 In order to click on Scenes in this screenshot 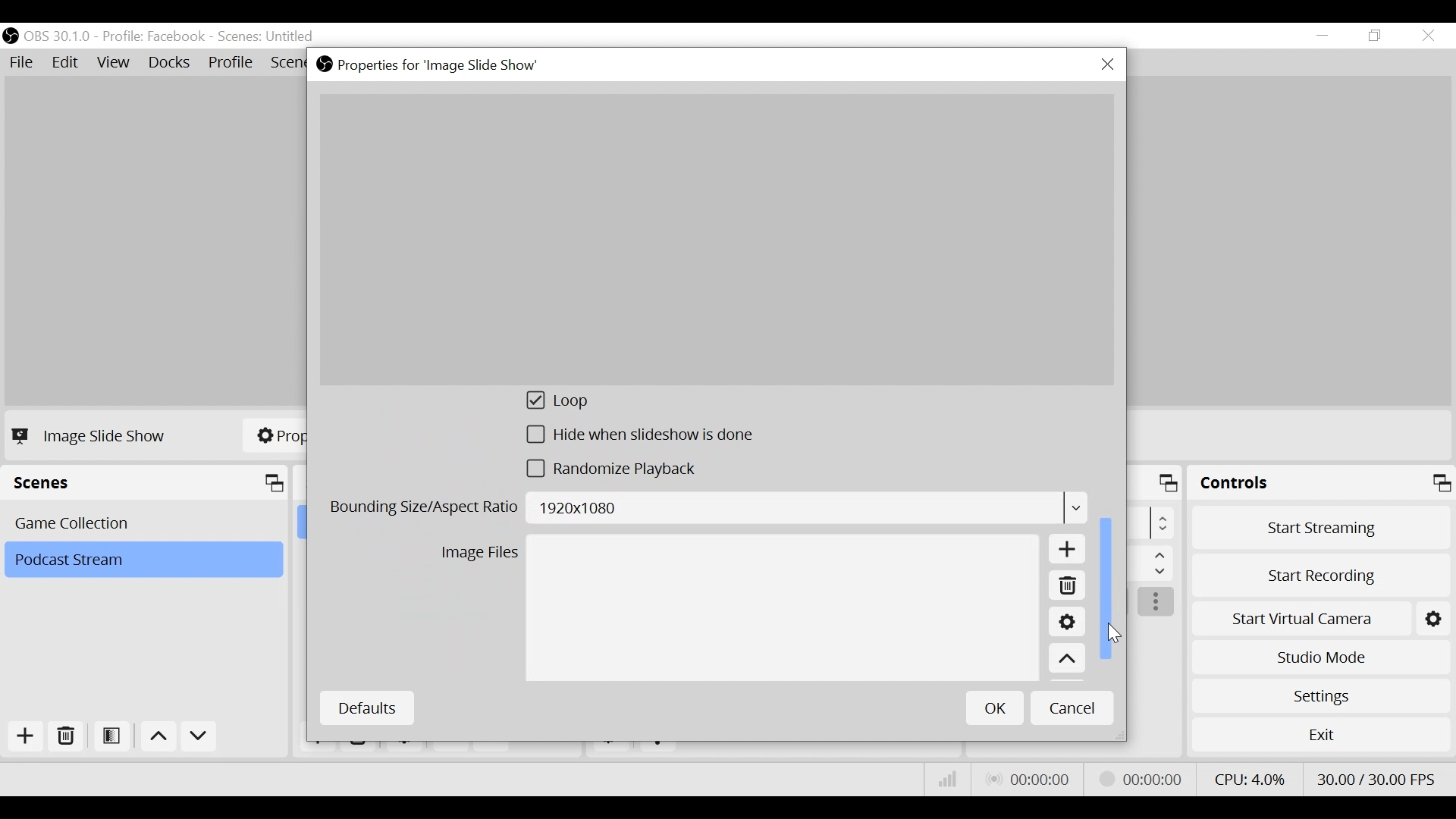, I will do `click(149, 483)`.